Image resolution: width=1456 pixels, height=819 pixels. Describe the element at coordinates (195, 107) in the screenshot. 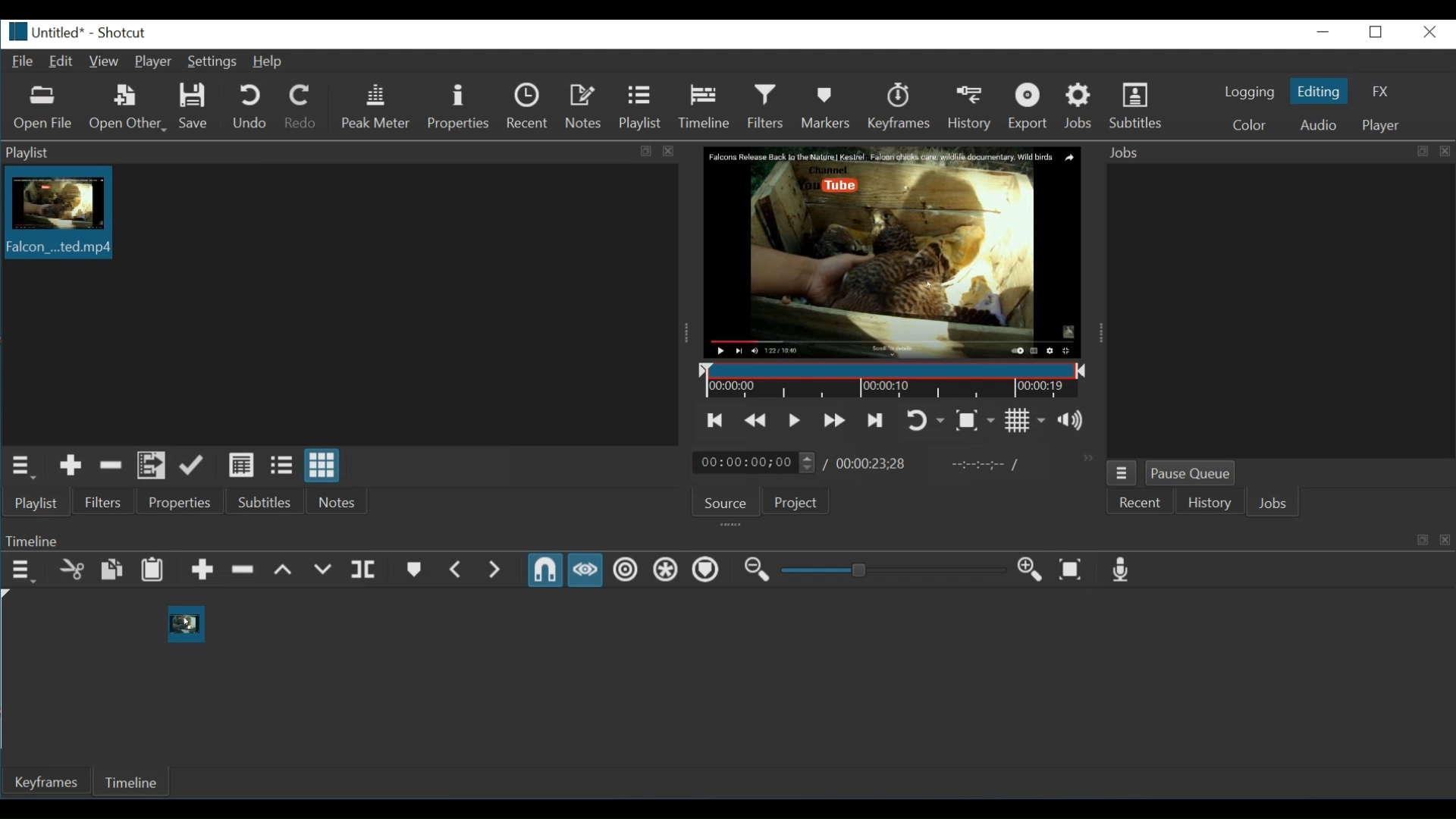

I see `Save` at that location.